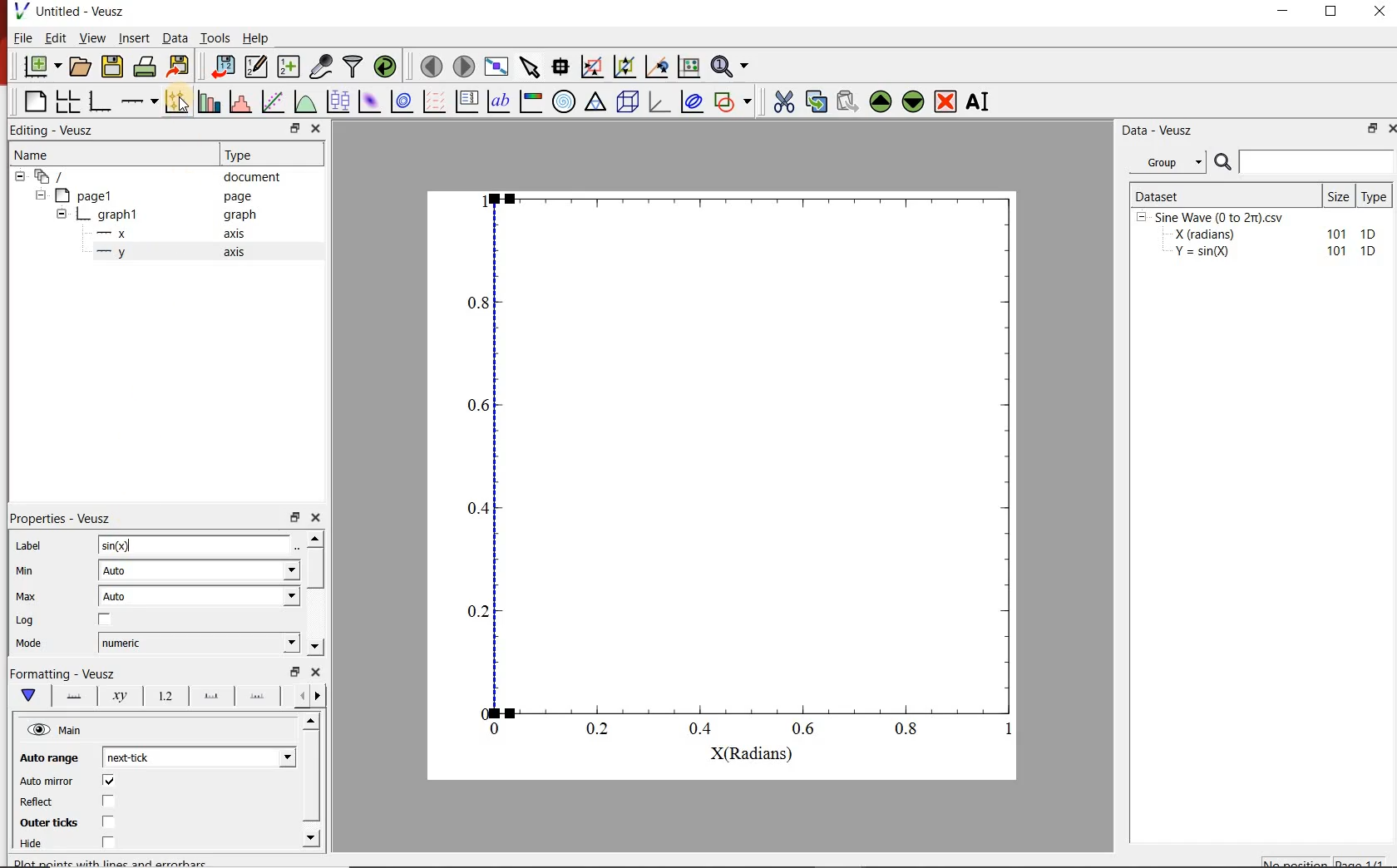 The image size is (1397, 868). What do you see at coordinates (945, 101) in the screenshot?
I see `remove` at bounding box center [945, 101].